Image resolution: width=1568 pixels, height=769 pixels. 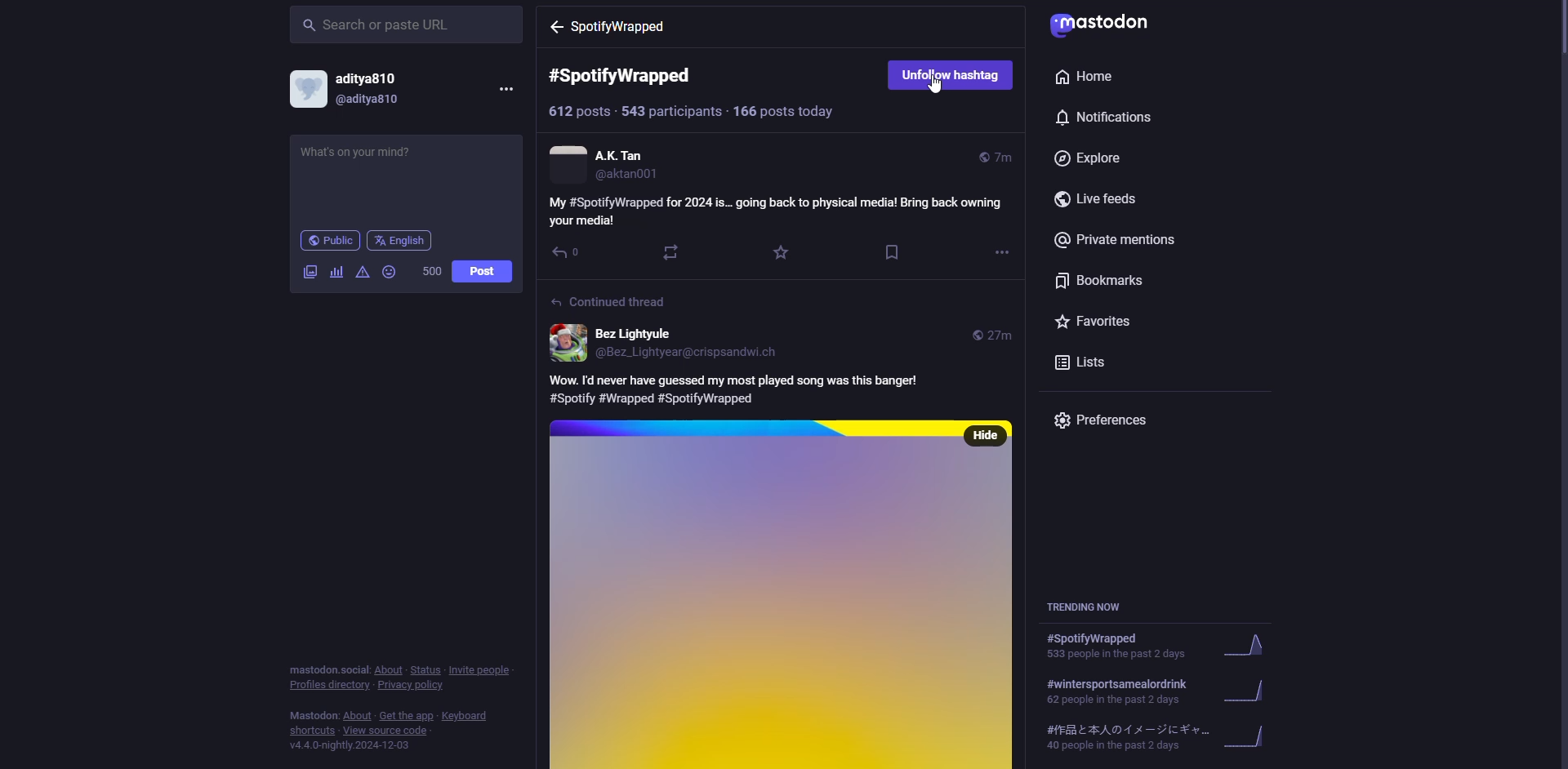 I want to click on notifications, so click(x=1111, y=118).